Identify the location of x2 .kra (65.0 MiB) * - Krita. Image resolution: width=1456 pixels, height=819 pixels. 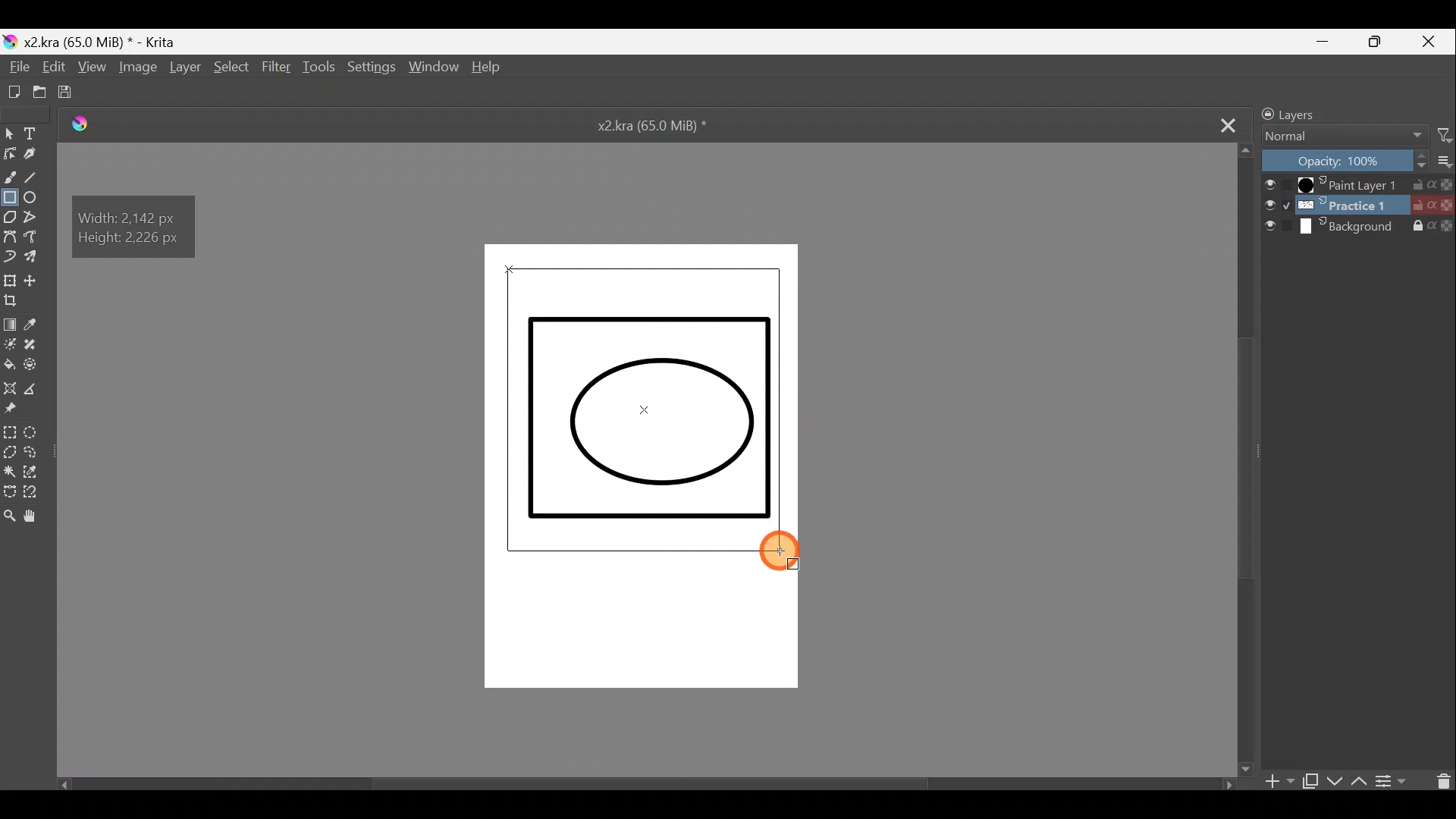
(112, 42).